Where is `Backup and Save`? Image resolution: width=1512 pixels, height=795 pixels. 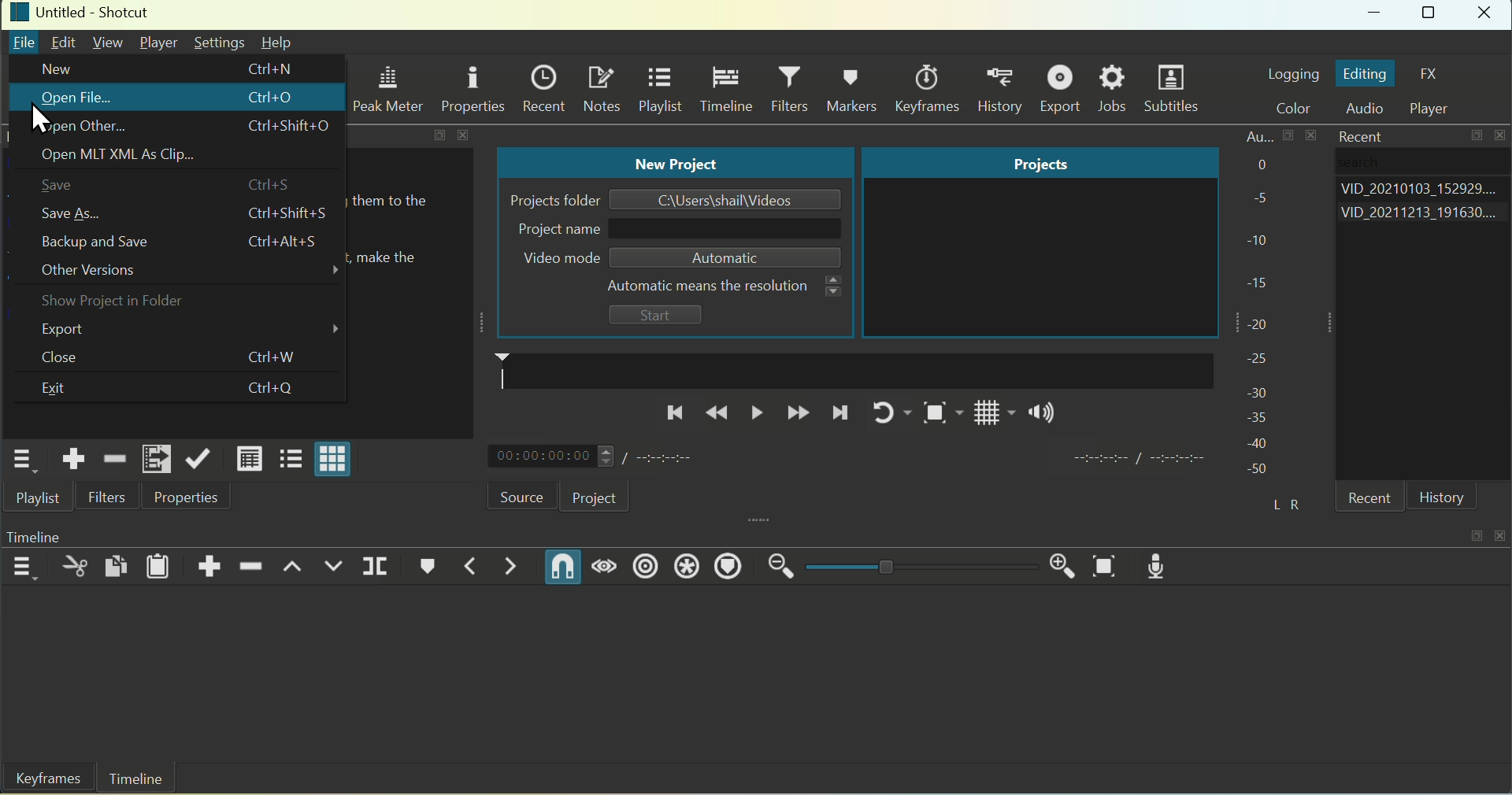
Backup and Save is located at coordinates (102, 242).